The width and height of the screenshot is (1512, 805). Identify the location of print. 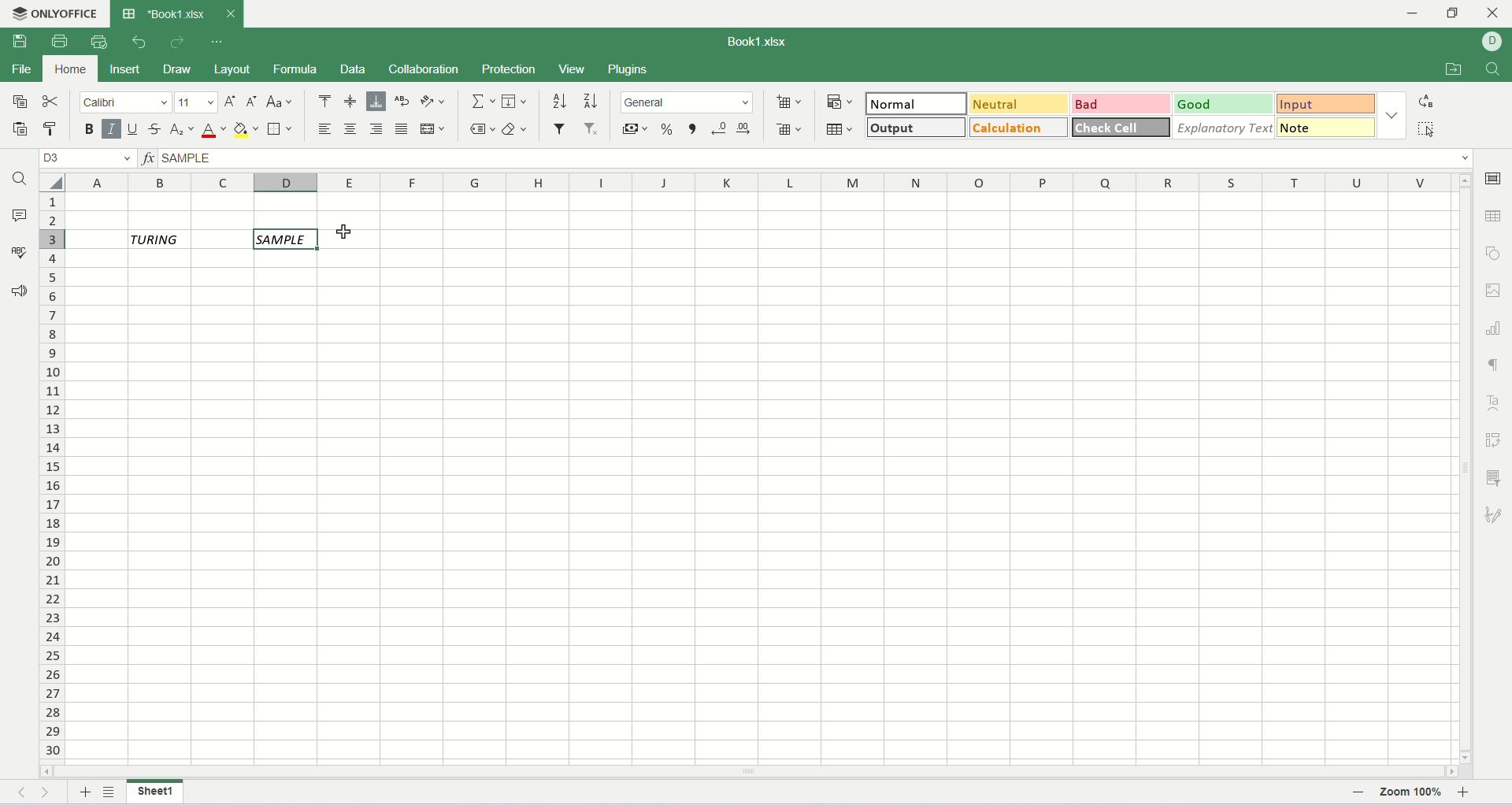
(63, 40).